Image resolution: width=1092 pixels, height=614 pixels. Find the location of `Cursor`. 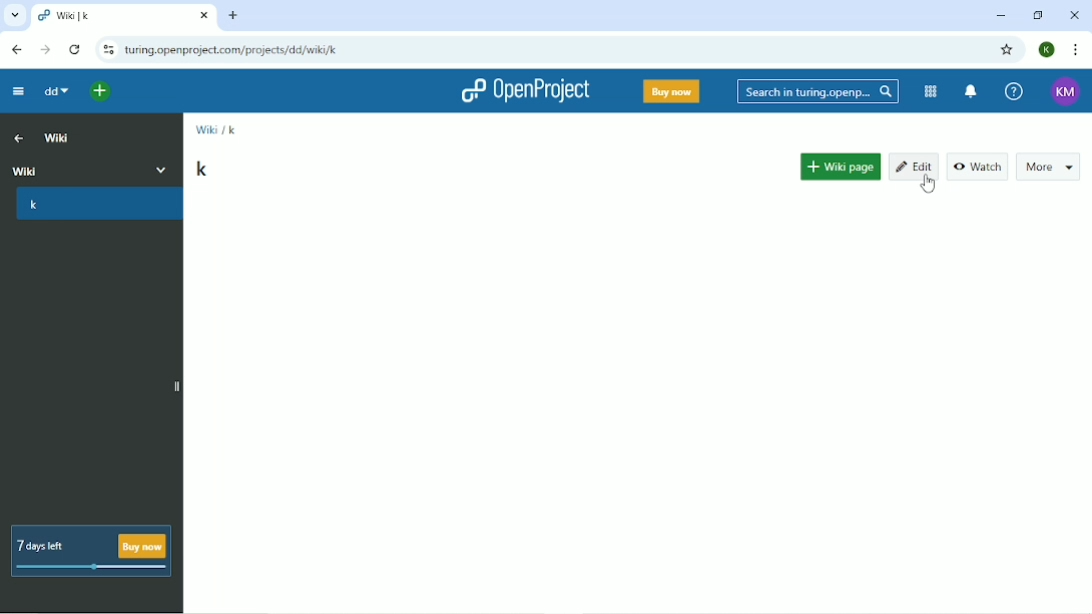

Cursor is located at coordinates (927, 186).